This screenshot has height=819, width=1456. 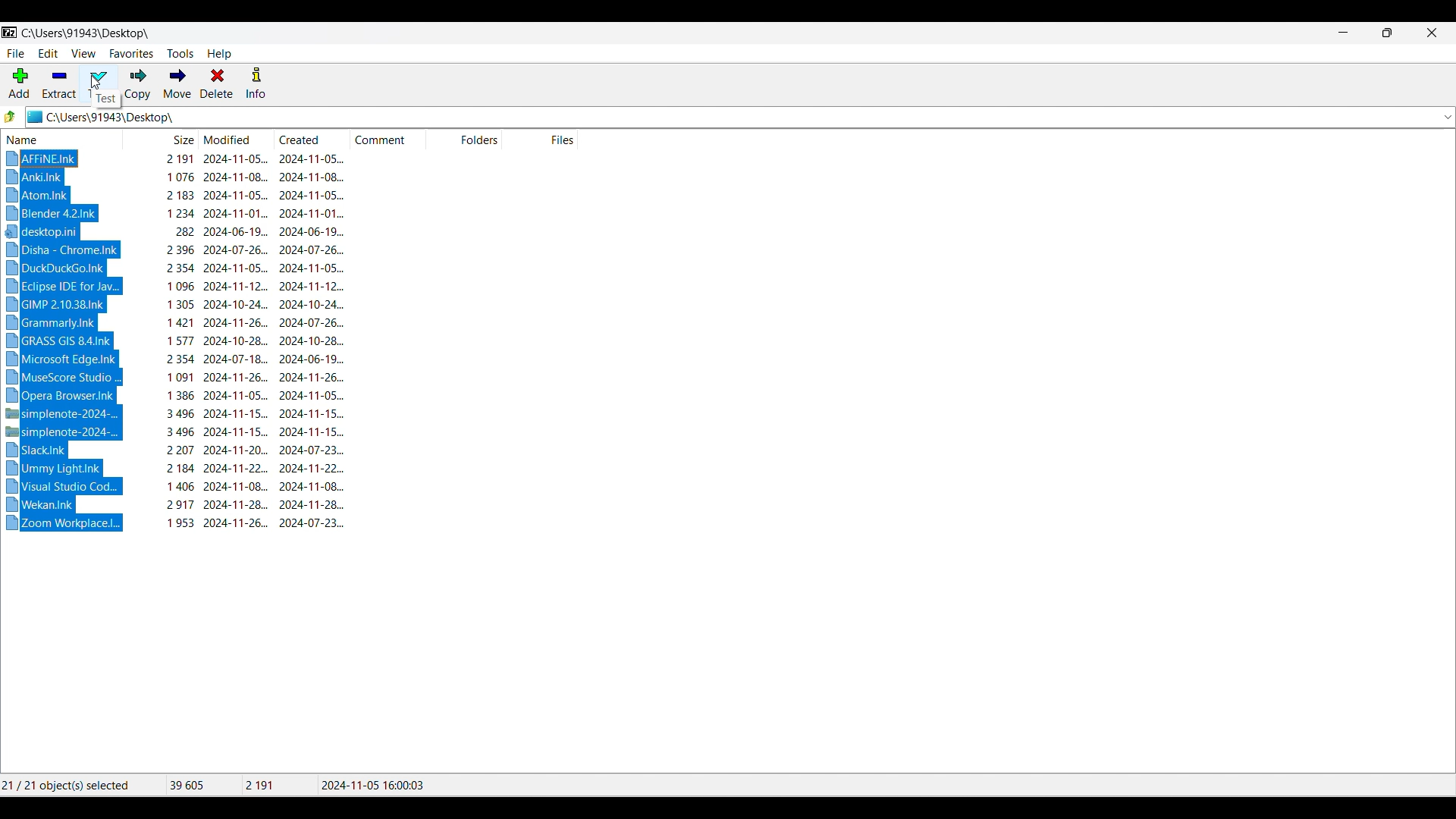 What do you see at coordinates (204, 784) in the screenshot?
I see `Sum of all files sizes` at bounding box center [204, 784].